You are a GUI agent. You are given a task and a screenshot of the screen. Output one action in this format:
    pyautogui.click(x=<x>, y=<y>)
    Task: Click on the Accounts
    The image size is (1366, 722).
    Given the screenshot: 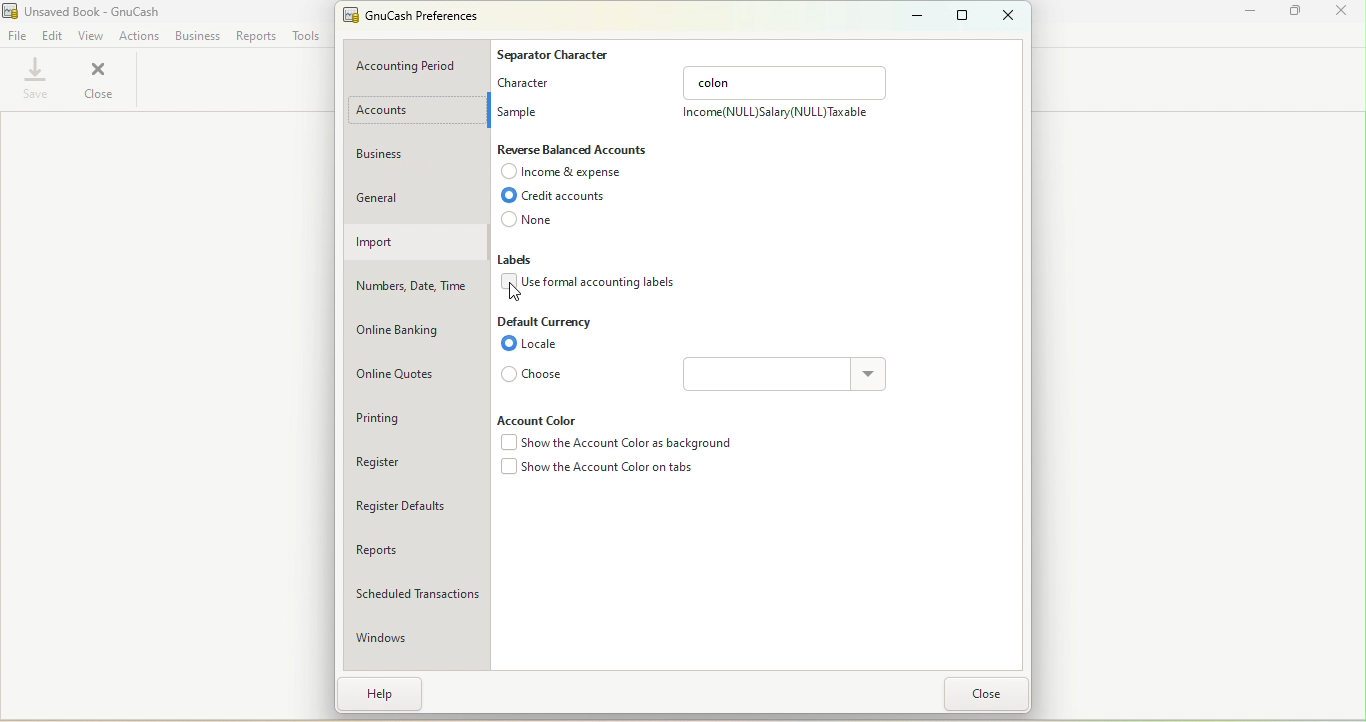 What is the action you would take?
    pyautogui.click(x=415, y=112)
    